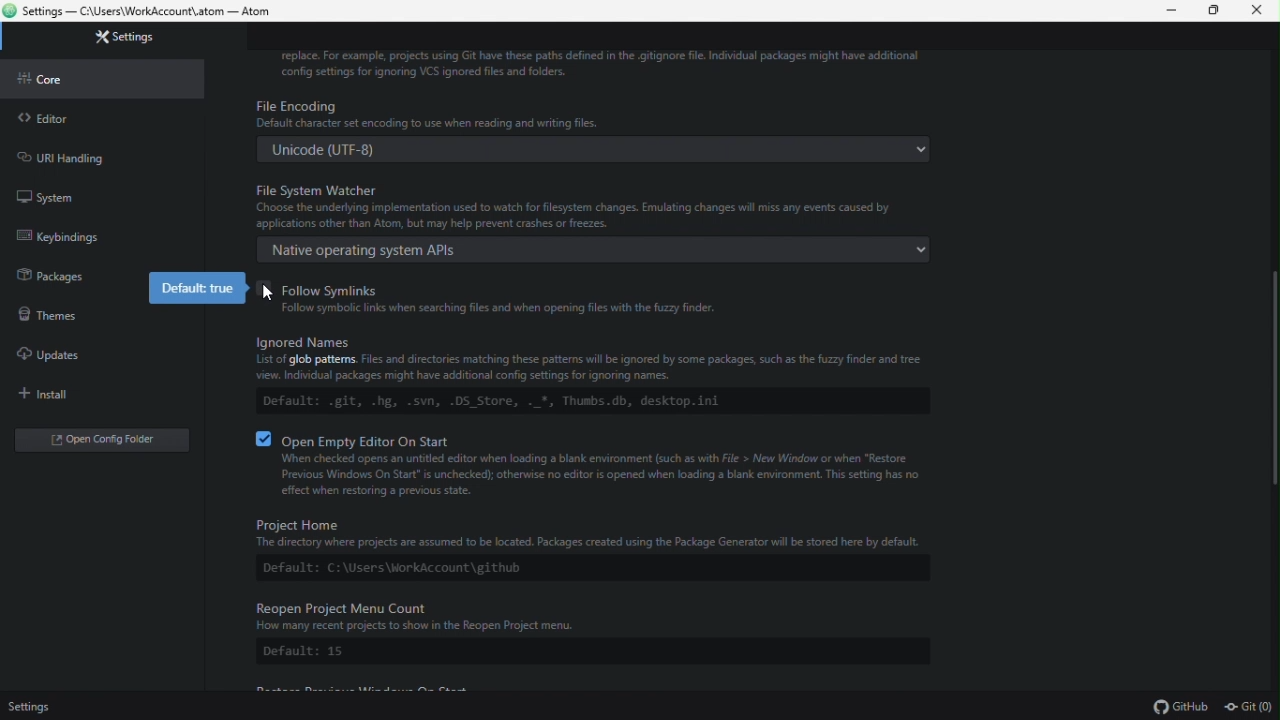  Describe the element at coordinates (597, 149) in the screenshot. I see `Unicode (UTF-8)` at that location.